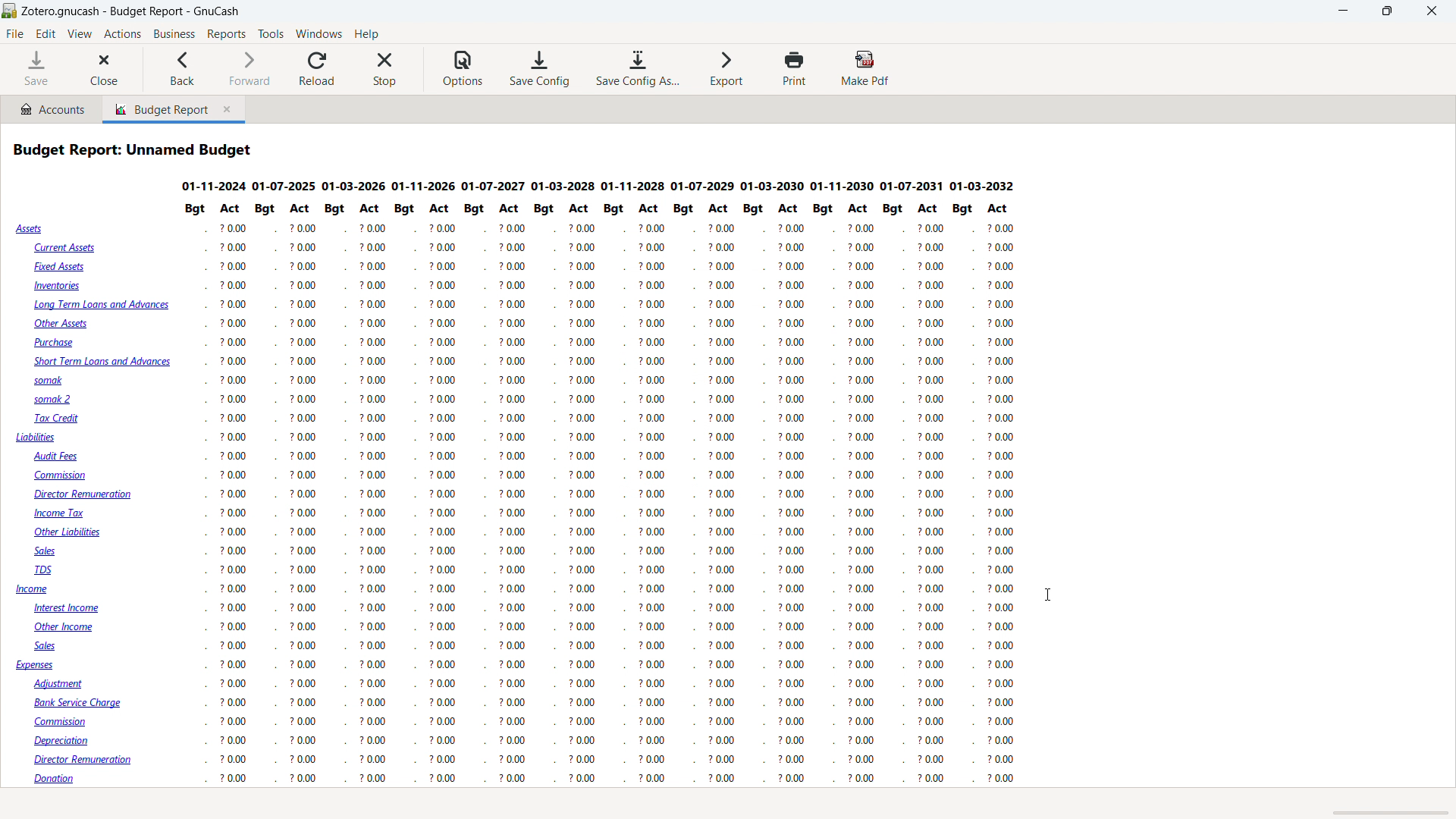 The image size is (1456, 819). Describe the element at coordinates (727, 67) in the screenshot. I see `export` at that location.